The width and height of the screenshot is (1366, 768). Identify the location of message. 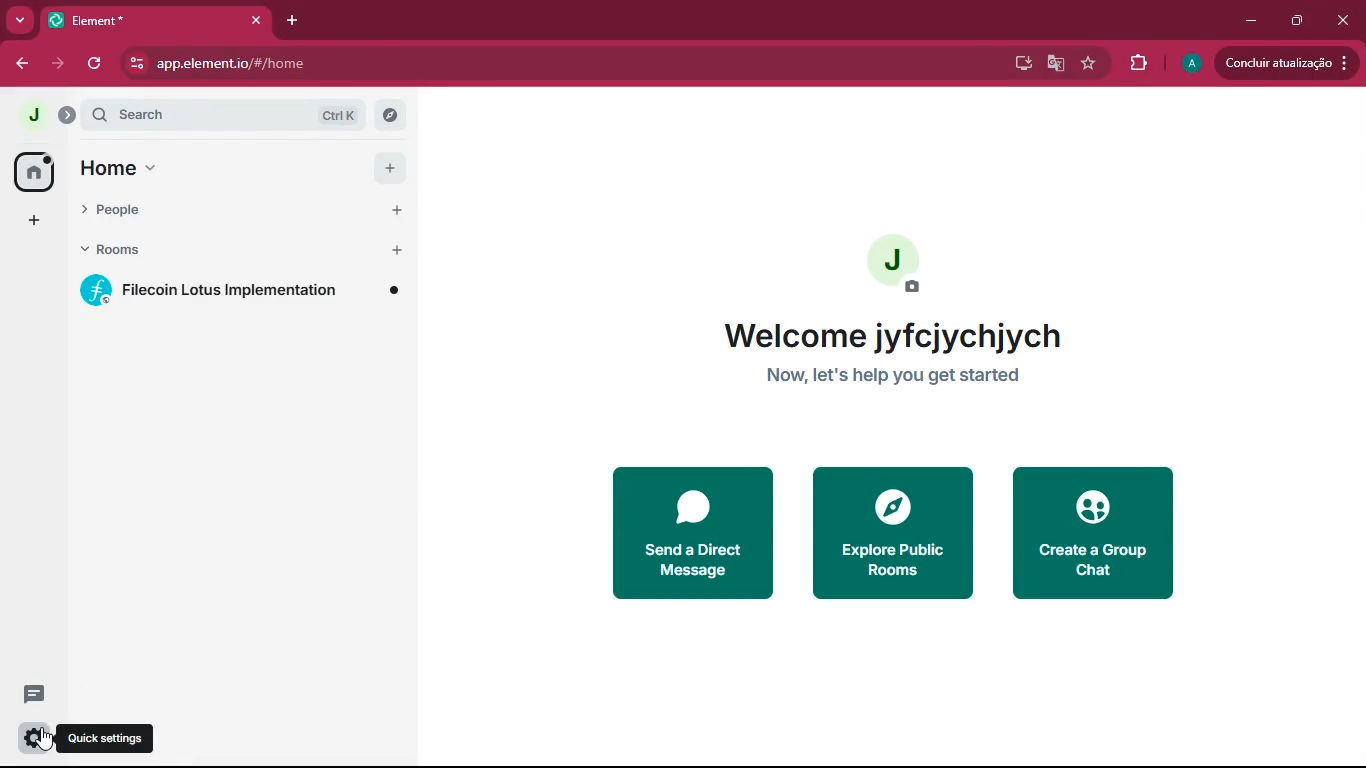
(36, 694).